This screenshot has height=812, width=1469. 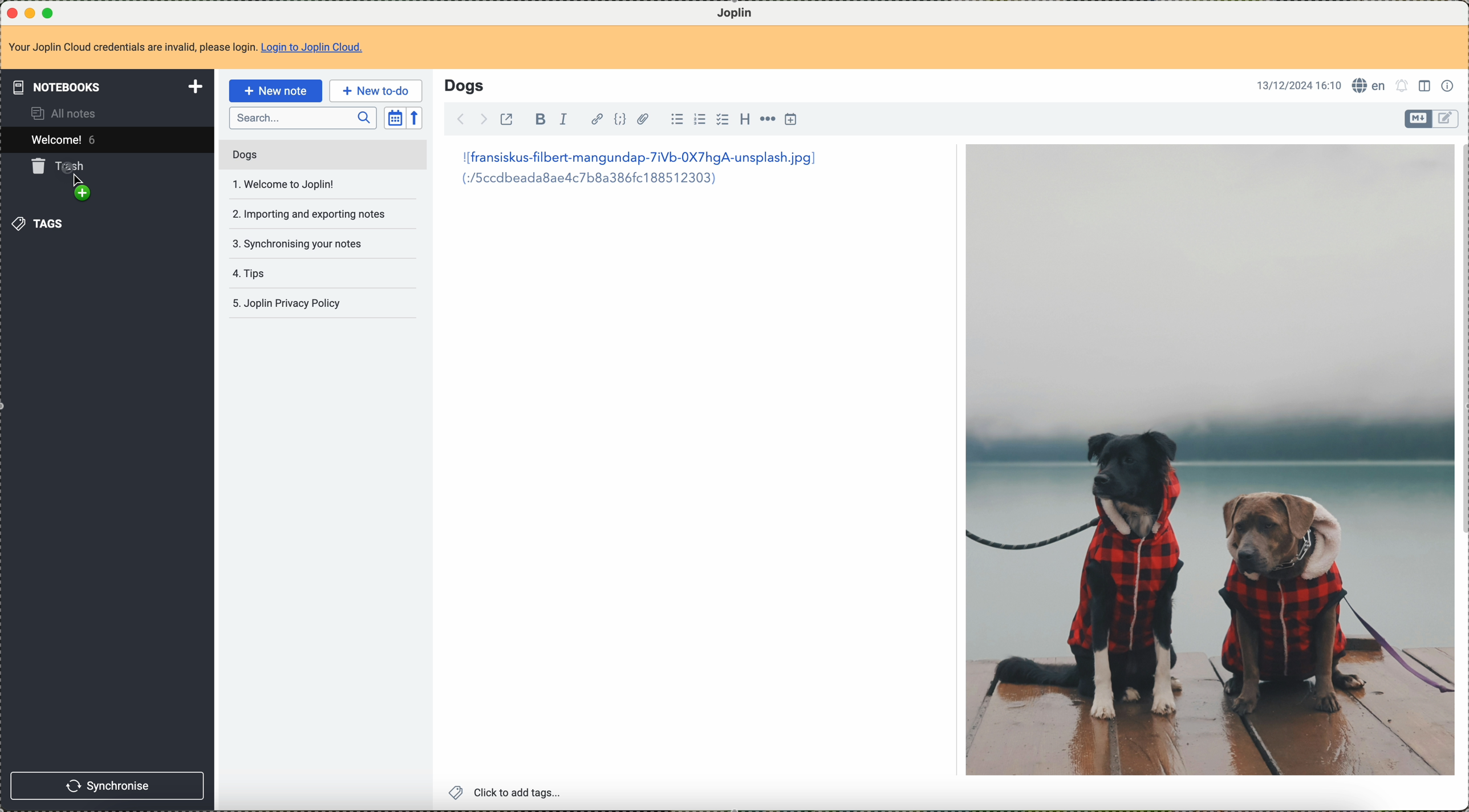 What do you see at coordinates (107, 787) in the screenshot?
I see `synchronise` at bounding box center [107, 787].